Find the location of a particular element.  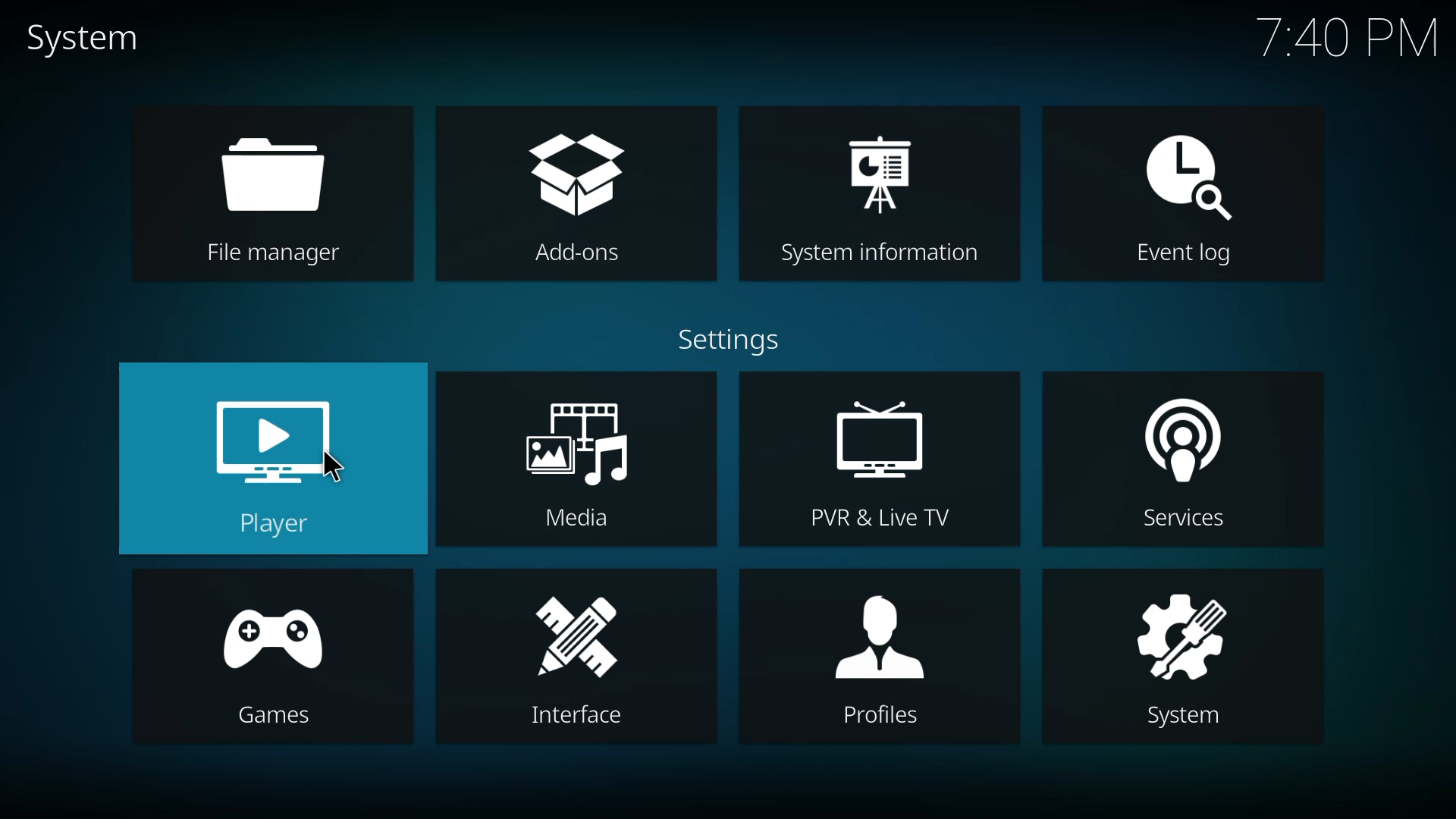

cursor is located at coordinates (334, 467).